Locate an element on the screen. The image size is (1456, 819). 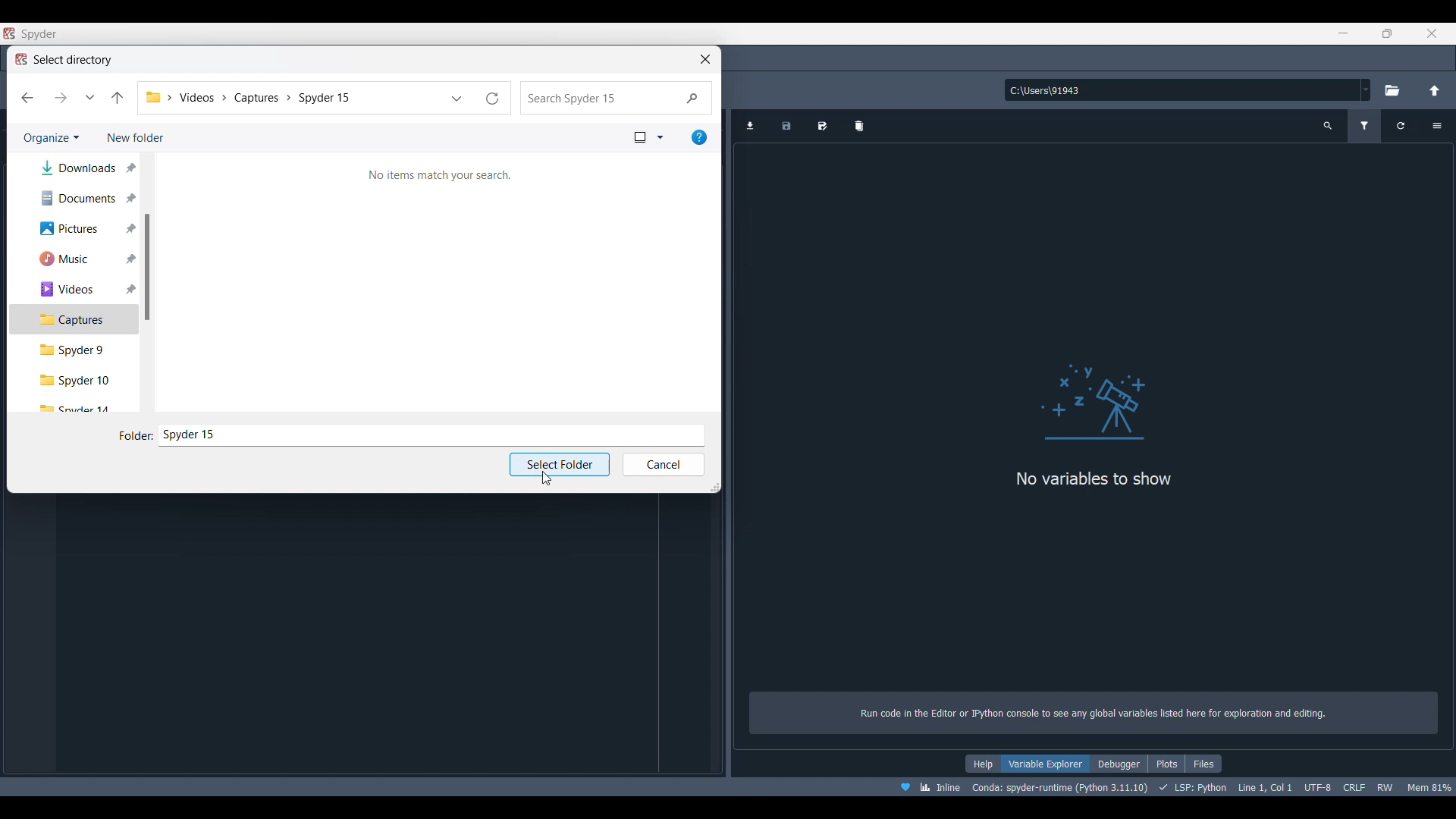
Options is located at coordinates (1437, 126).